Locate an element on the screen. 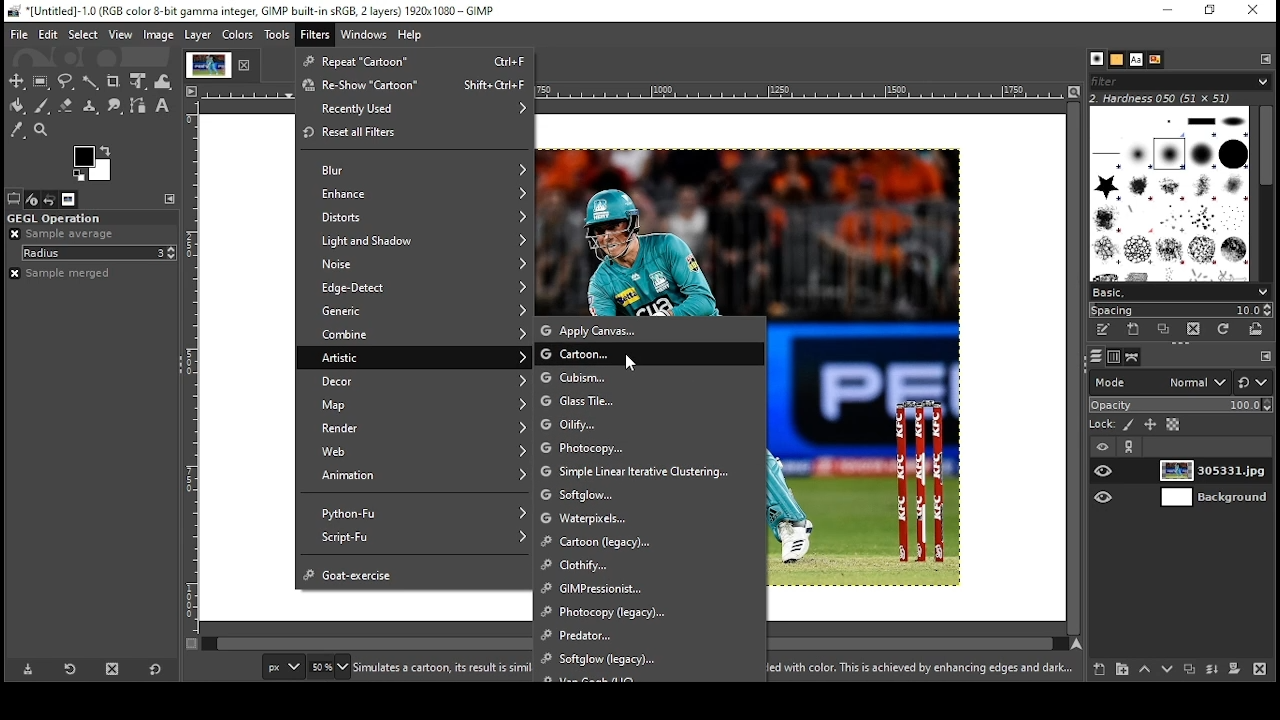 This screenshot has width=1280, height=720. animation is located at coordinates (418, 477).